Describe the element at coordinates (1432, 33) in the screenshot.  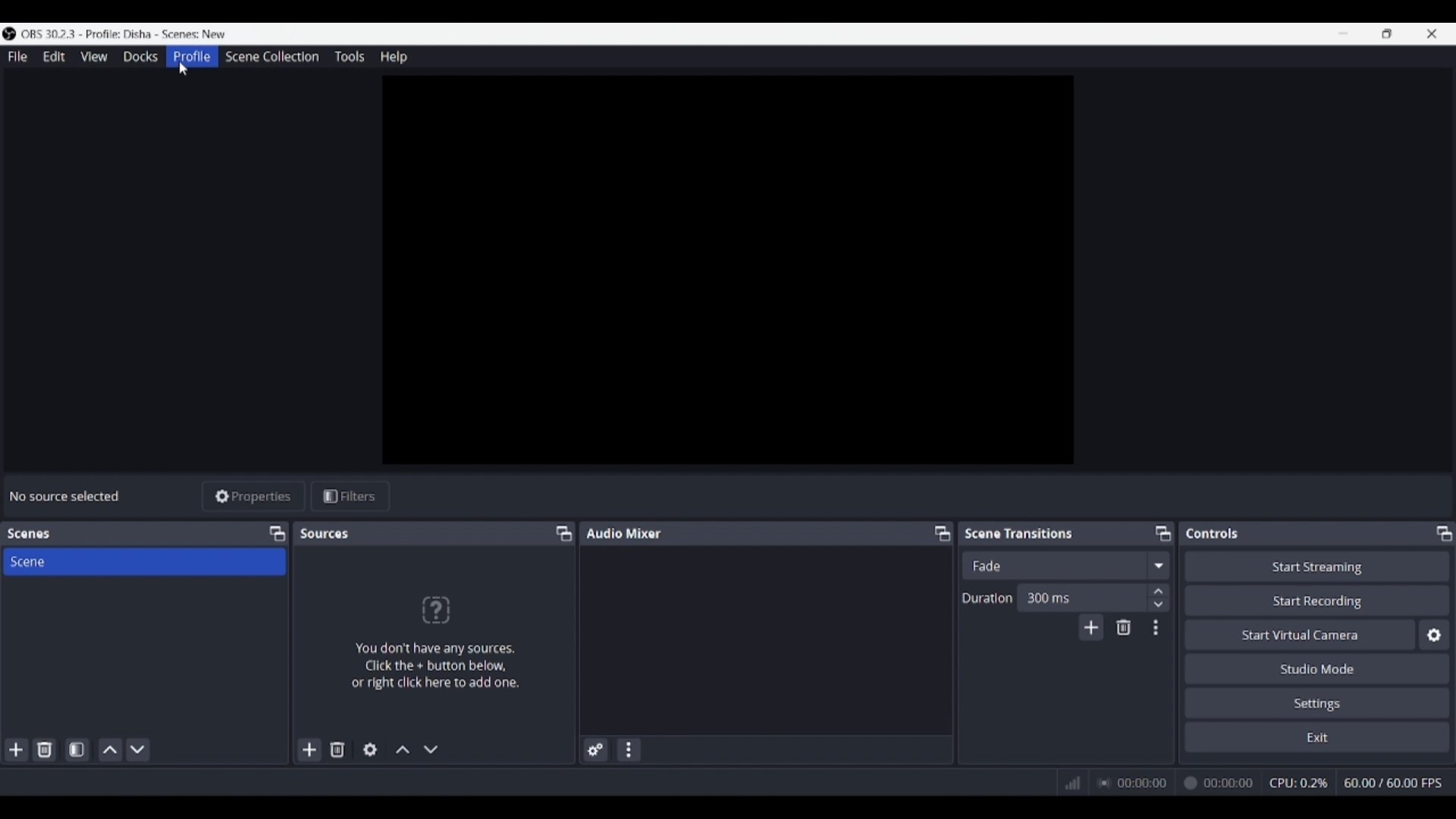
I see `Close interface` at that location.